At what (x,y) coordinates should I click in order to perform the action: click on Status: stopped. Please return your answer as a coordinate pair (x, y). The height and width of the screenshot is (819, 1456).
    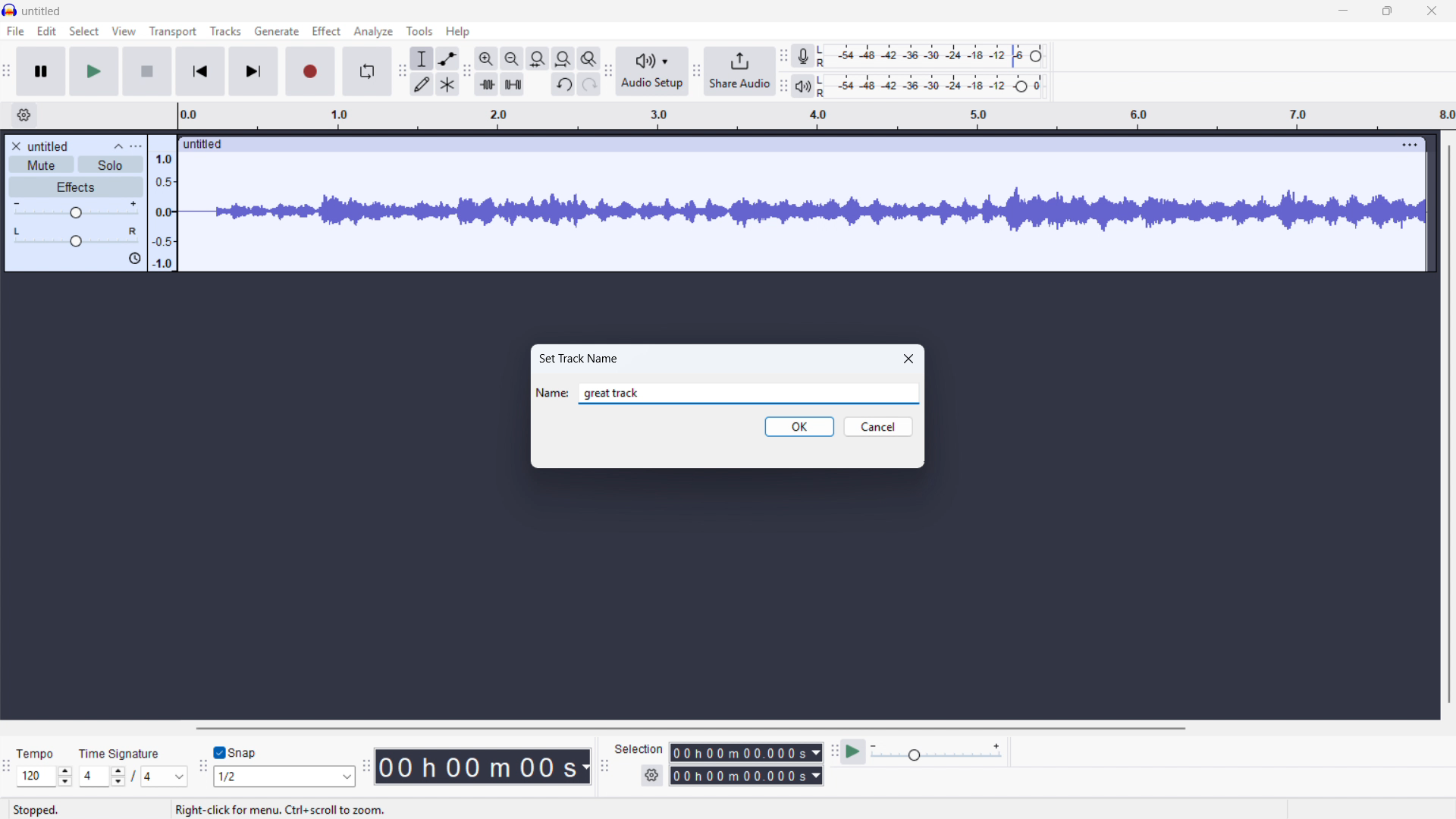
    Looking at the image, I should click on (36, 810).